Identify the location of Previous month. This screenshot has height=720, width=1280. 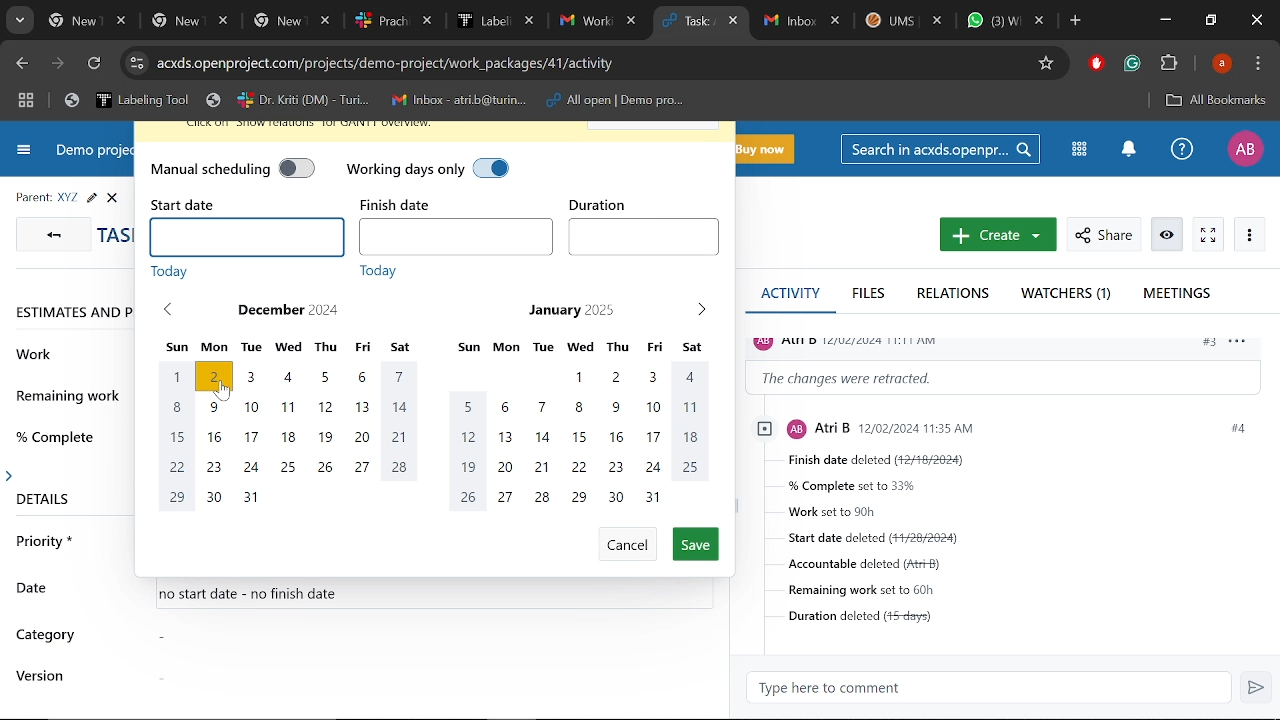
(170, 310).